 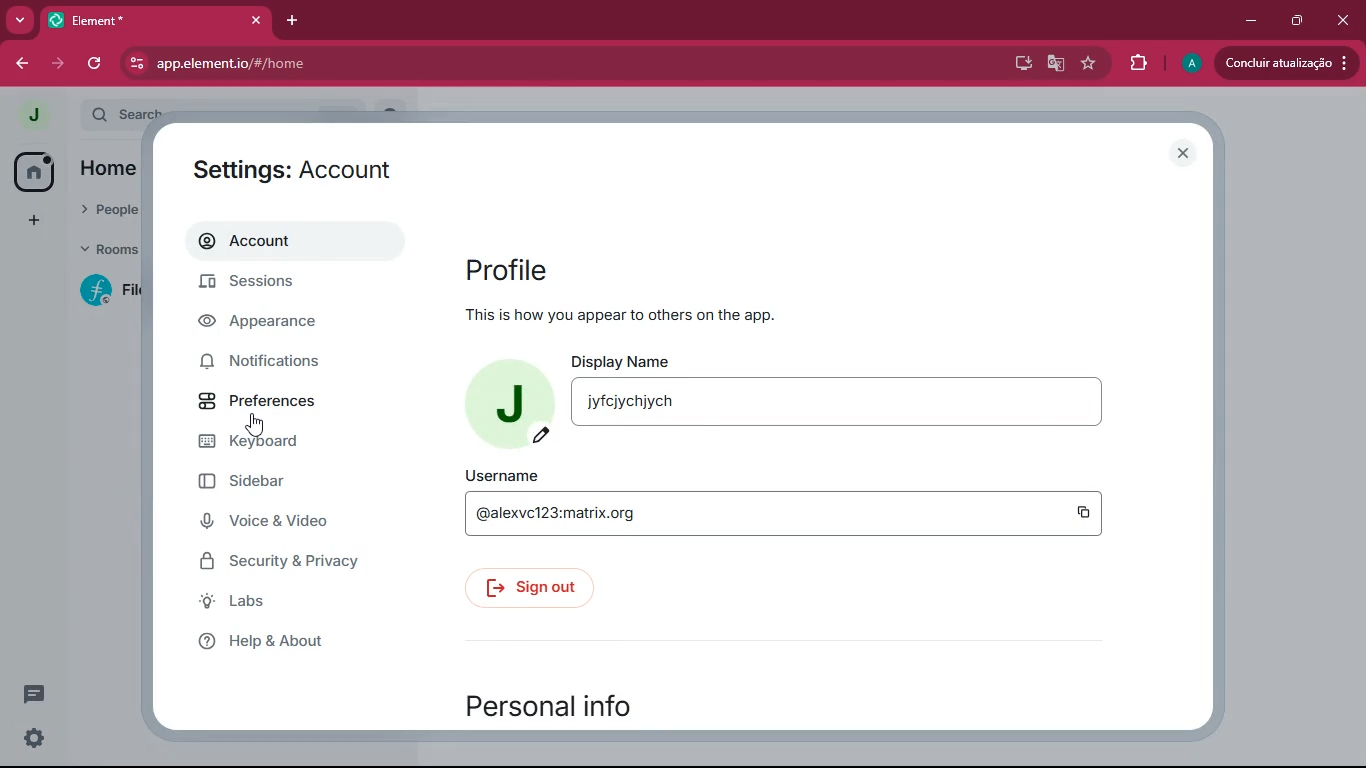 What do you see at coordinates (572, 703) in the screenshot?
I see `personal info` at bounding box center [572, 703].